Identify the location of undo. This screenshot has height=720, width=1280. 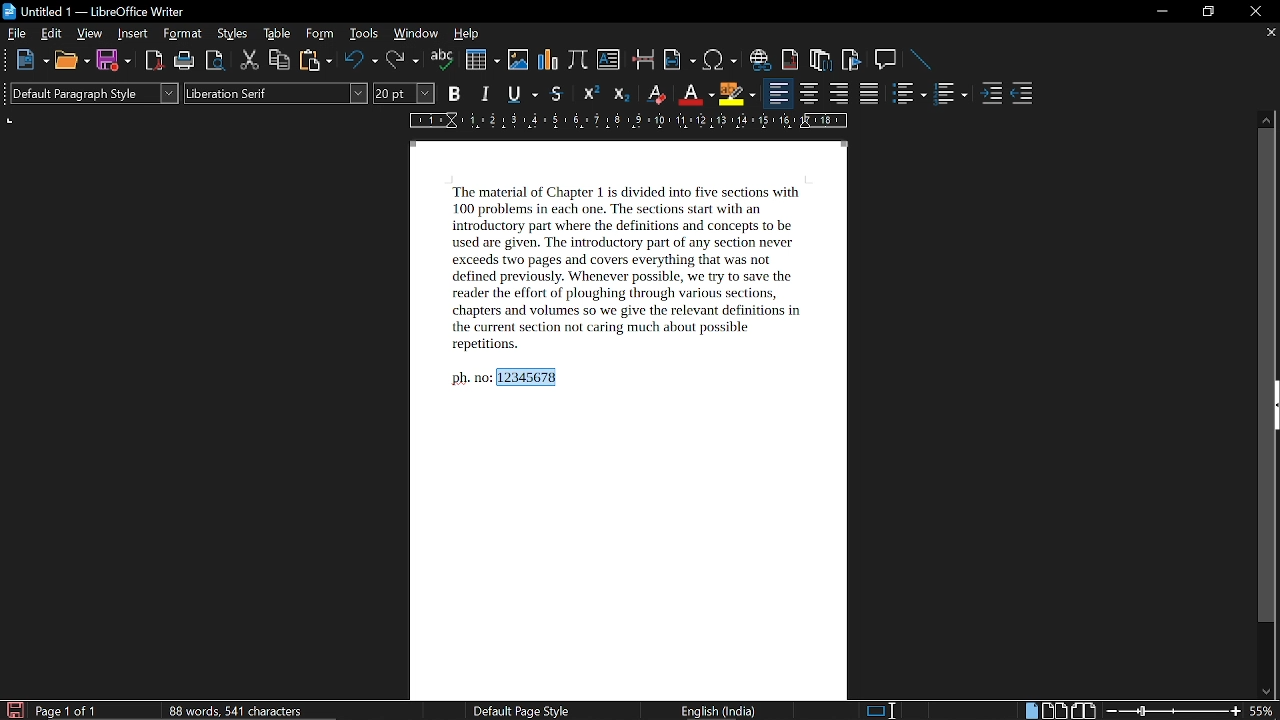
(359, 62).